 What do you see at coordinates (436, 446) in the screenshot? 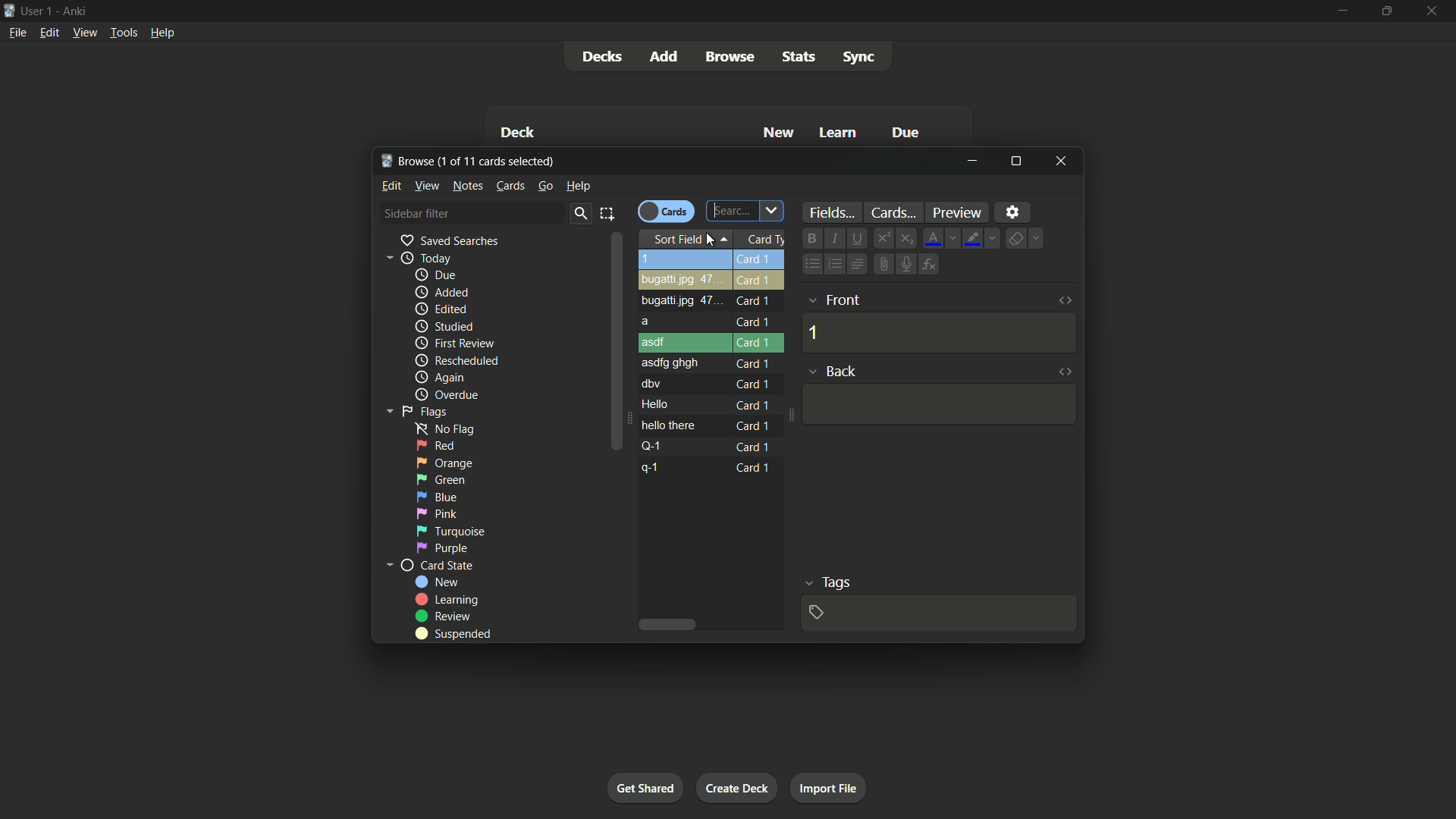
I see `red` at bounding box center [436, 446].